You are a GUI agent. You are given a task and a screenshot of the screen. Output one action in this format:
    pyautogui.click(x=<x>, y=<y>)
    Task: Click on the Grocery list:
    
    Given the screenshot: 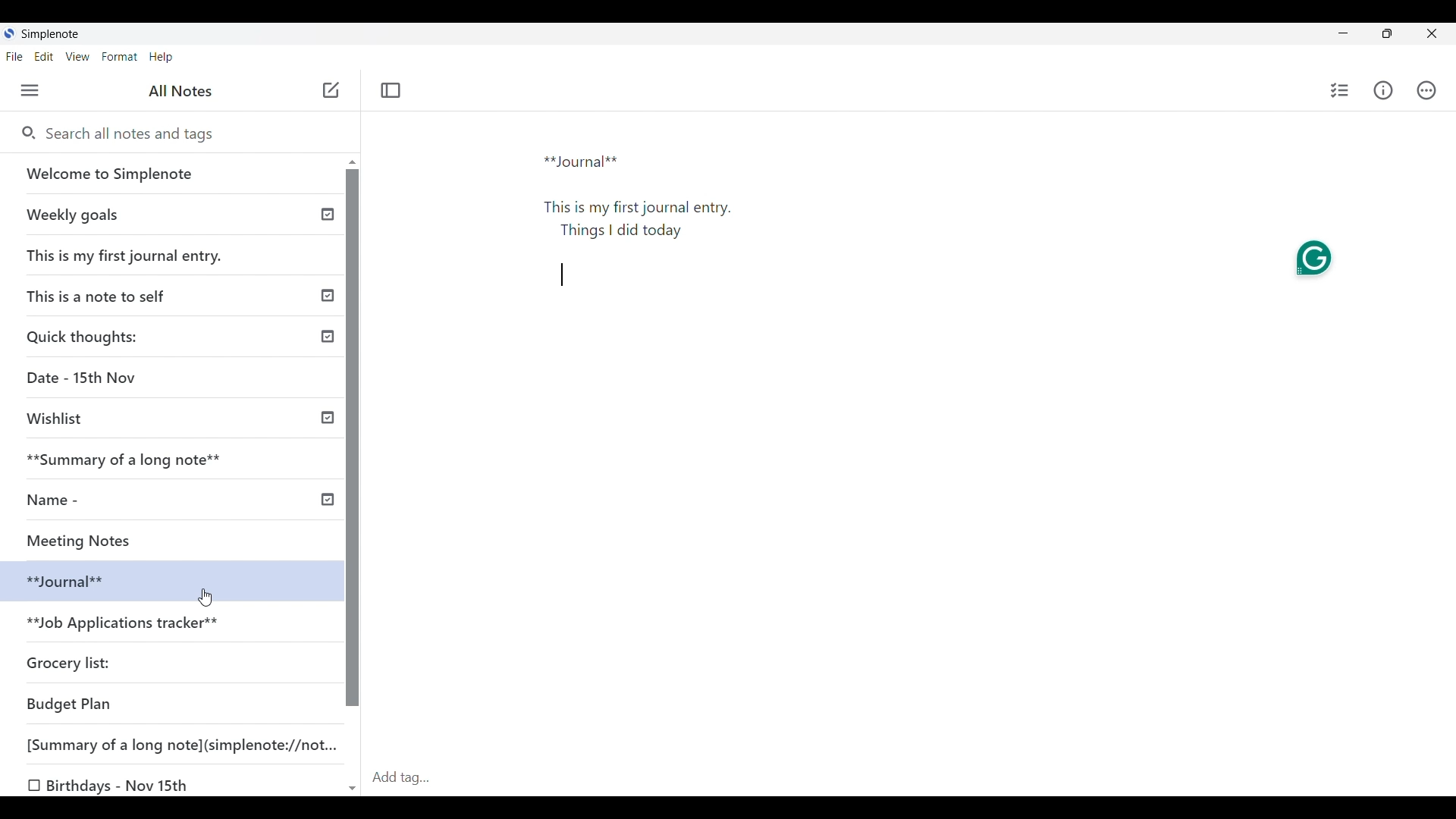 What is the action you would take?
    pyautogui.click(x=71, y=661)
    